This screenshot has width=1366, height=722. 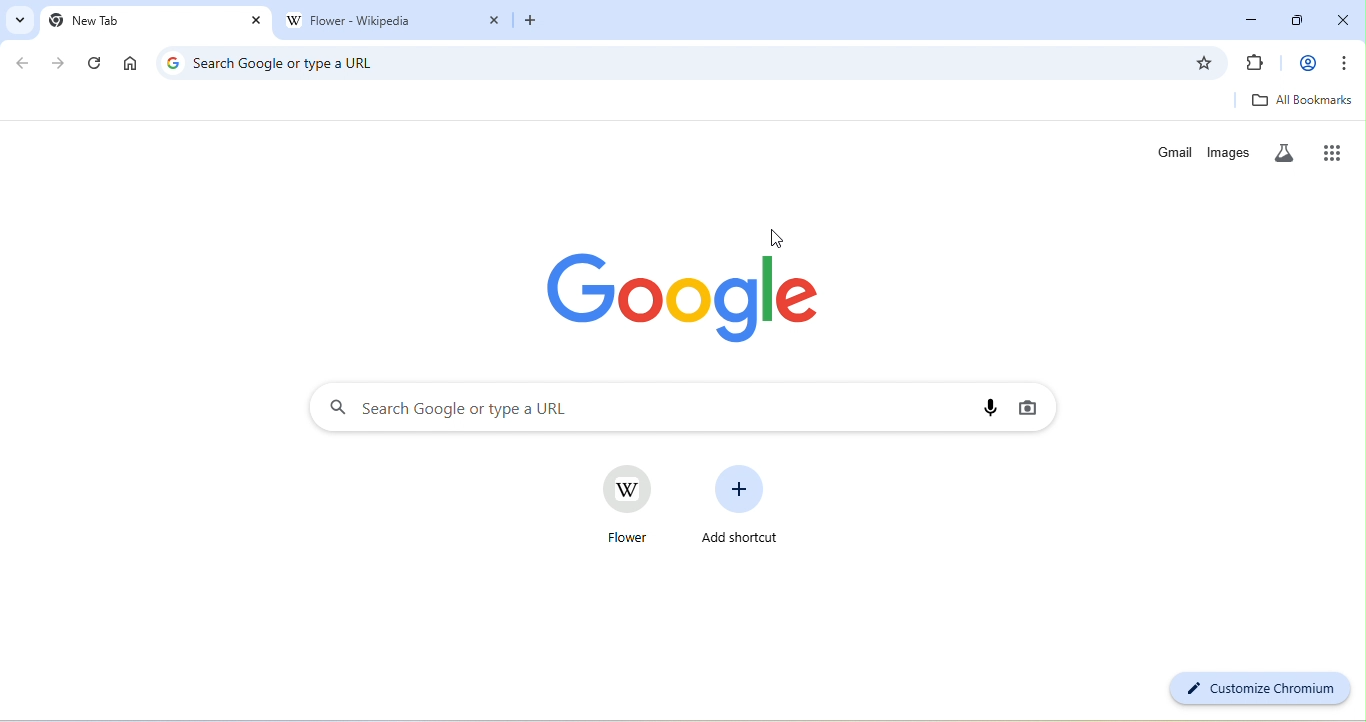 I want to click on maximize, so click(x=1302, y=17).